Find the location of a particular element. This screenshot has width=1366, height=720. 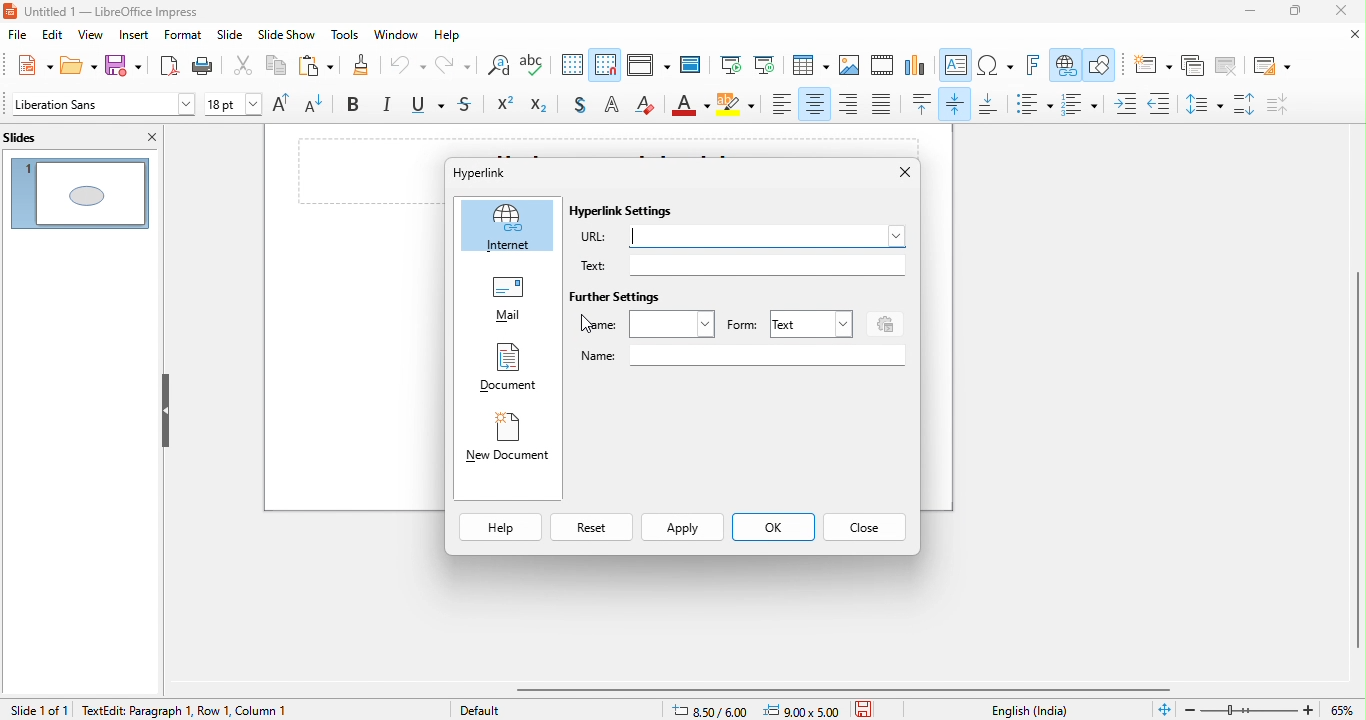

close is located at coordinates (865, 527).